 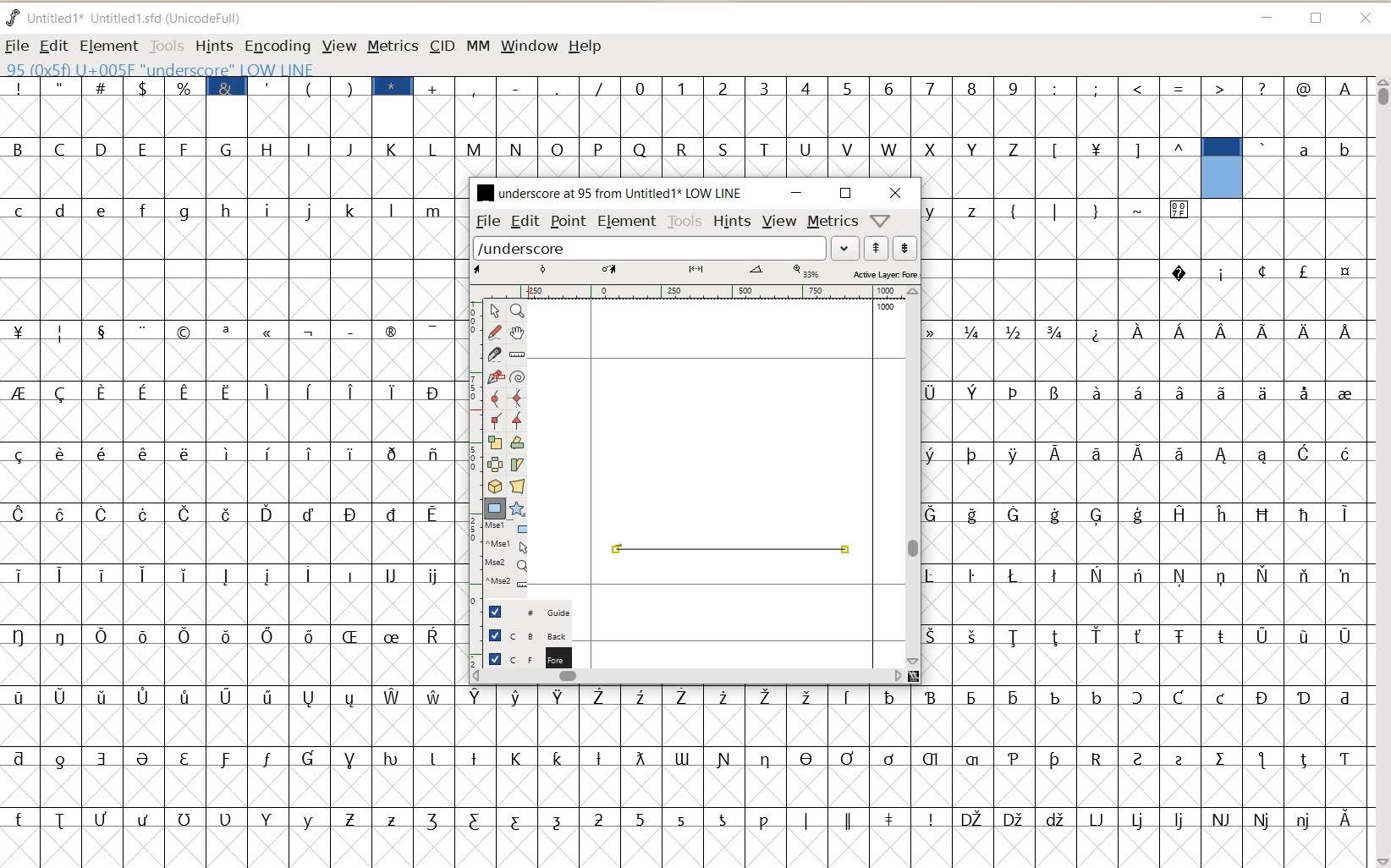 What do you see at coordinates (685, 222) in the screenshot?
I see `TOOLS` at bounding box center [685, 222].